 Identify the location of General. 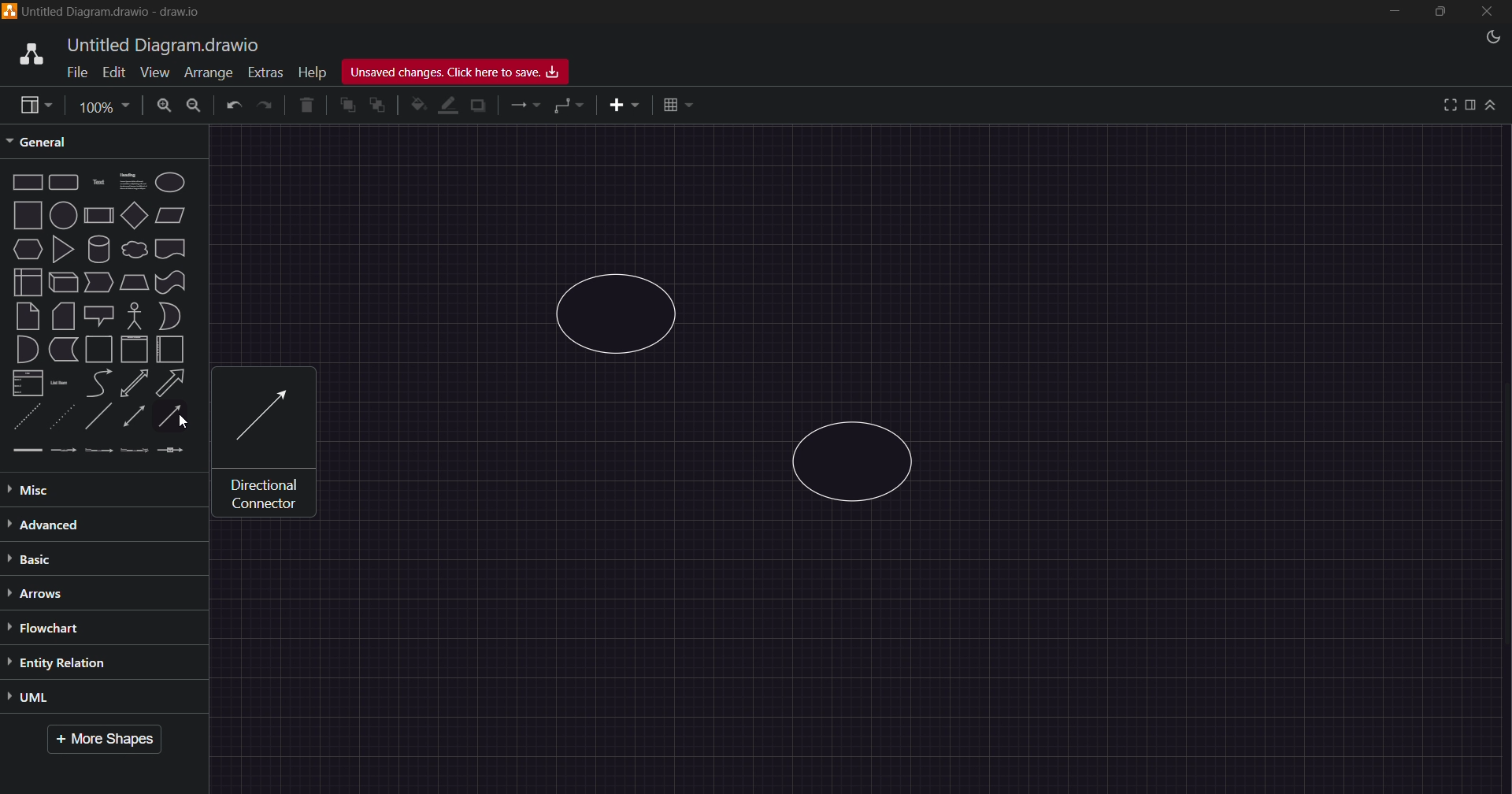
(50, 141).